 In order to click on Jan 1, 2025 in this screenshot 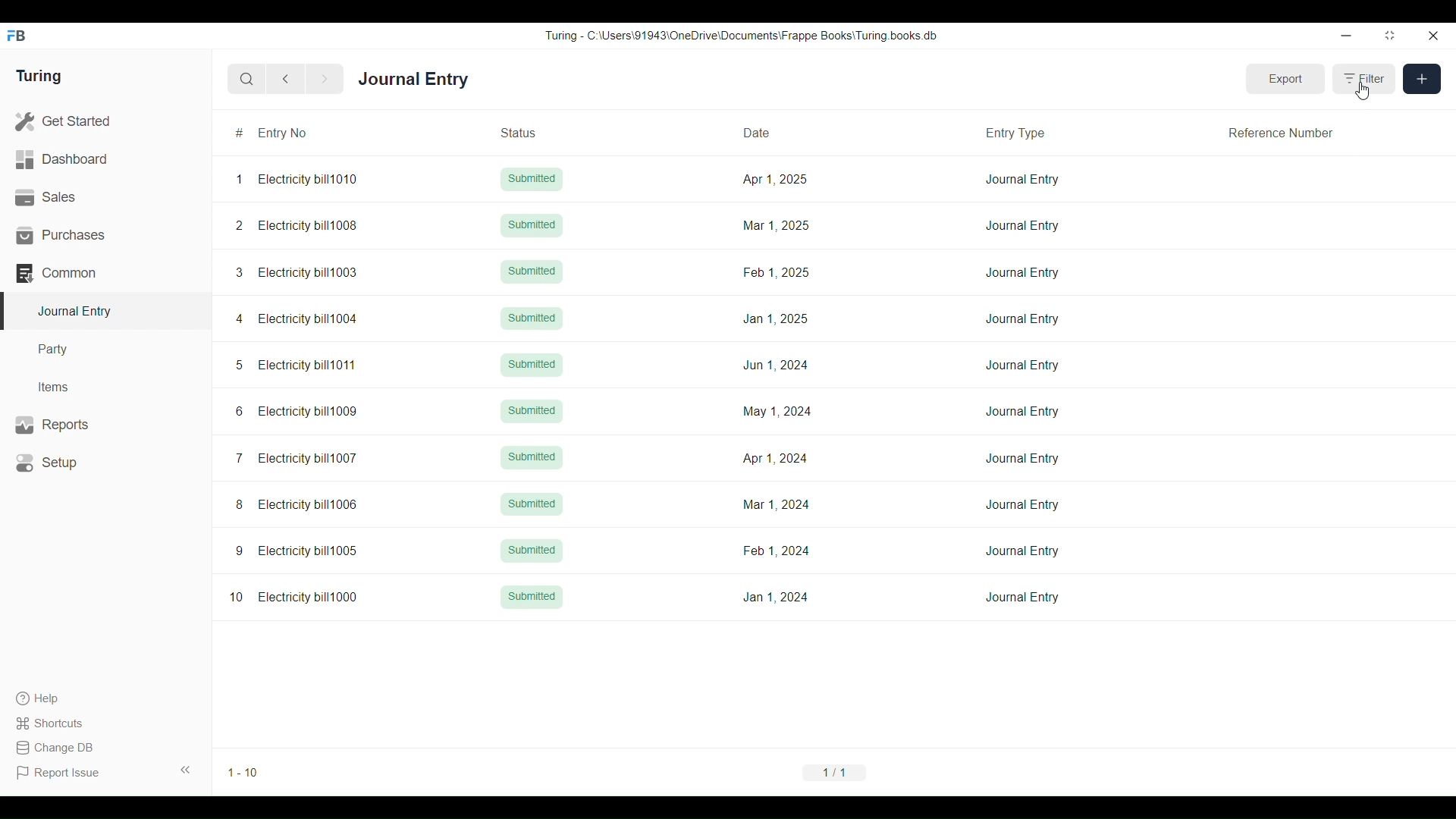, I will do `click(776, 318)`.